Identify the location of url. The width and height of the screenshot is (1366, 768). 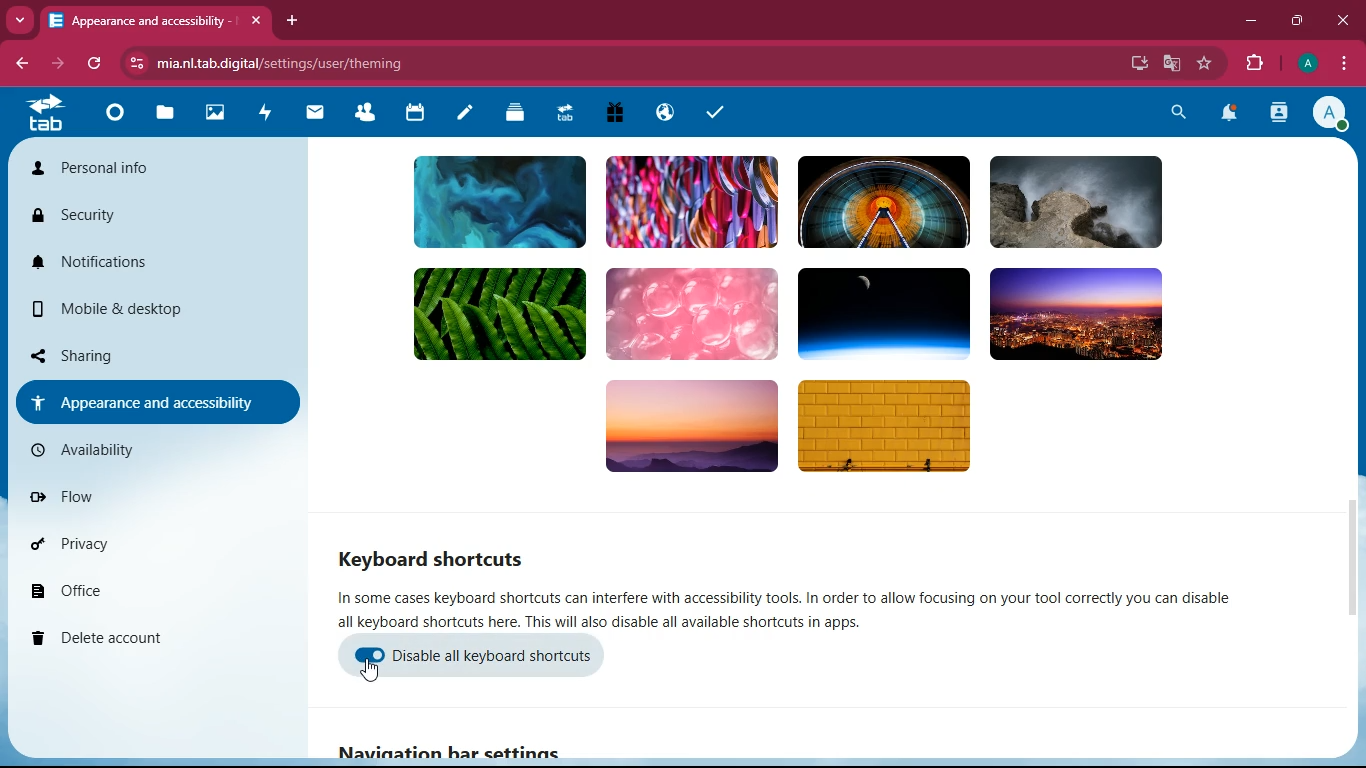
(295, 60).